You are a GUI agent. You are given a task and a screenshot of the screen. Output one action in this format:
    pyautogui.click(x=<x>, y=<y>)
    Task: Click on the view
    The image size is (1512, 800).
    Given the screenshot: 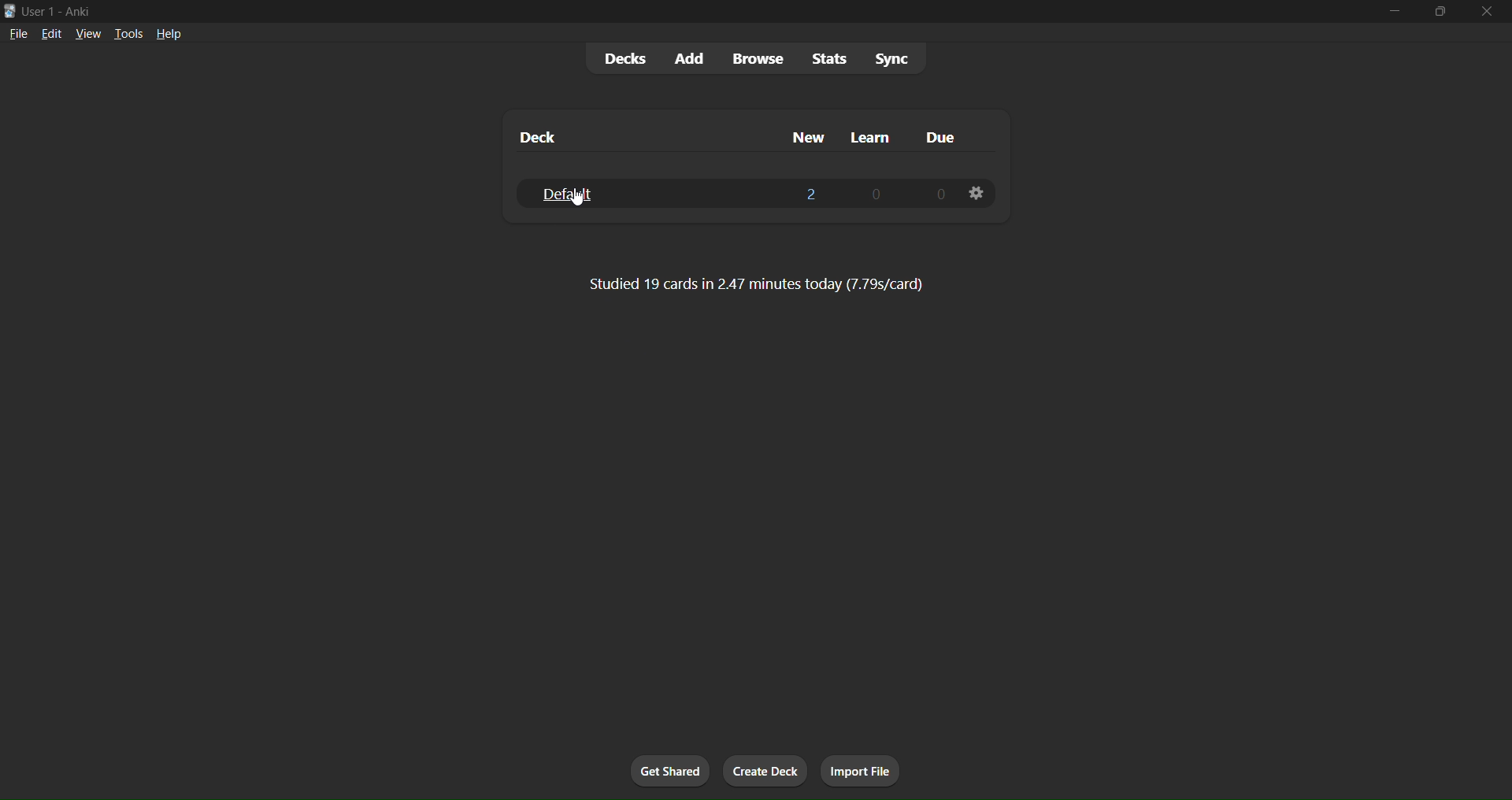 What is the action you would take?
    pyautogui.click(x=88, y=35)
    